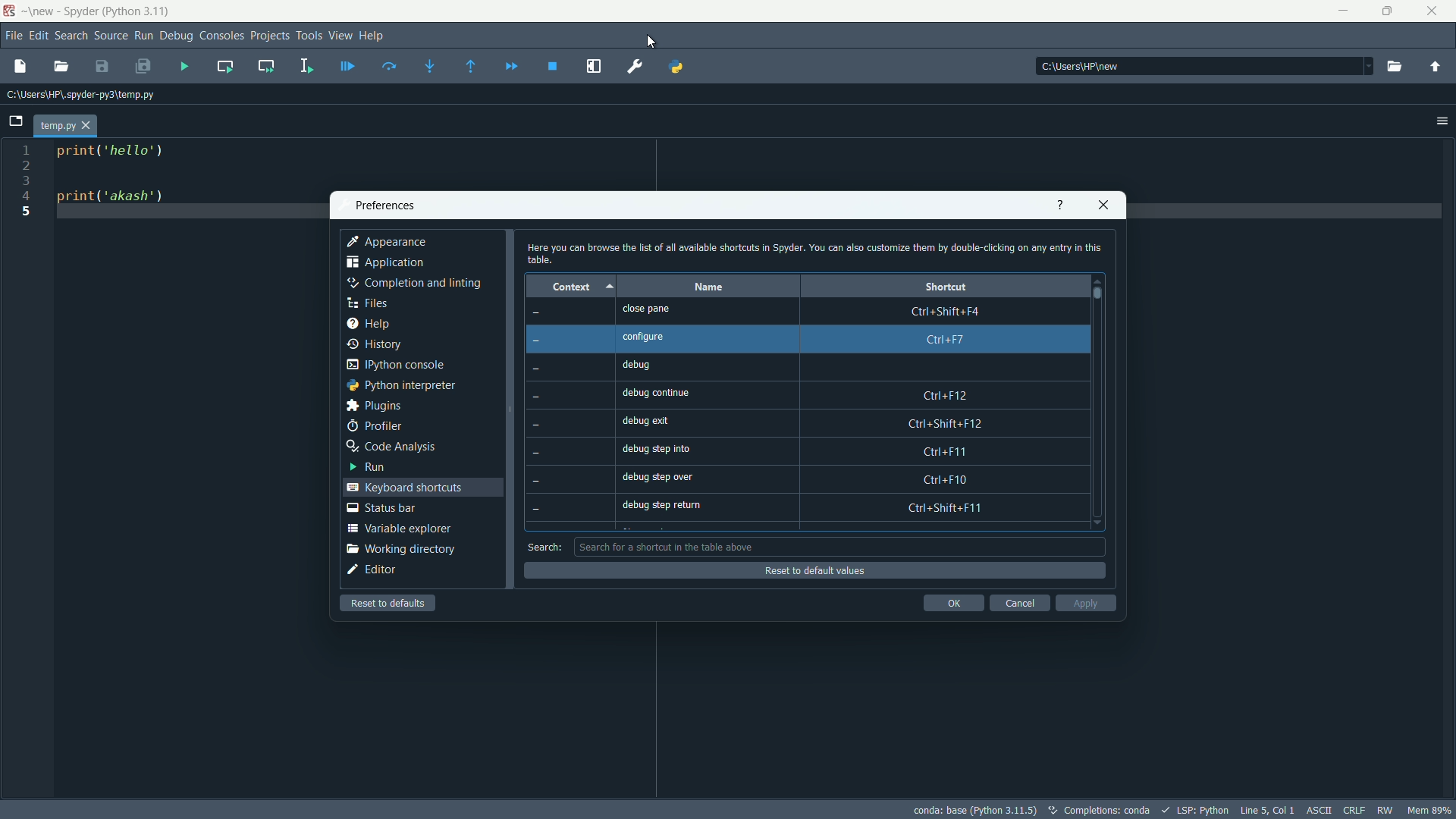 Image resolution: width=1456 pixels, height=819 pixels. Describe the element at coordinates (1436, 11) in the screenshot. I see `close app` at that location.